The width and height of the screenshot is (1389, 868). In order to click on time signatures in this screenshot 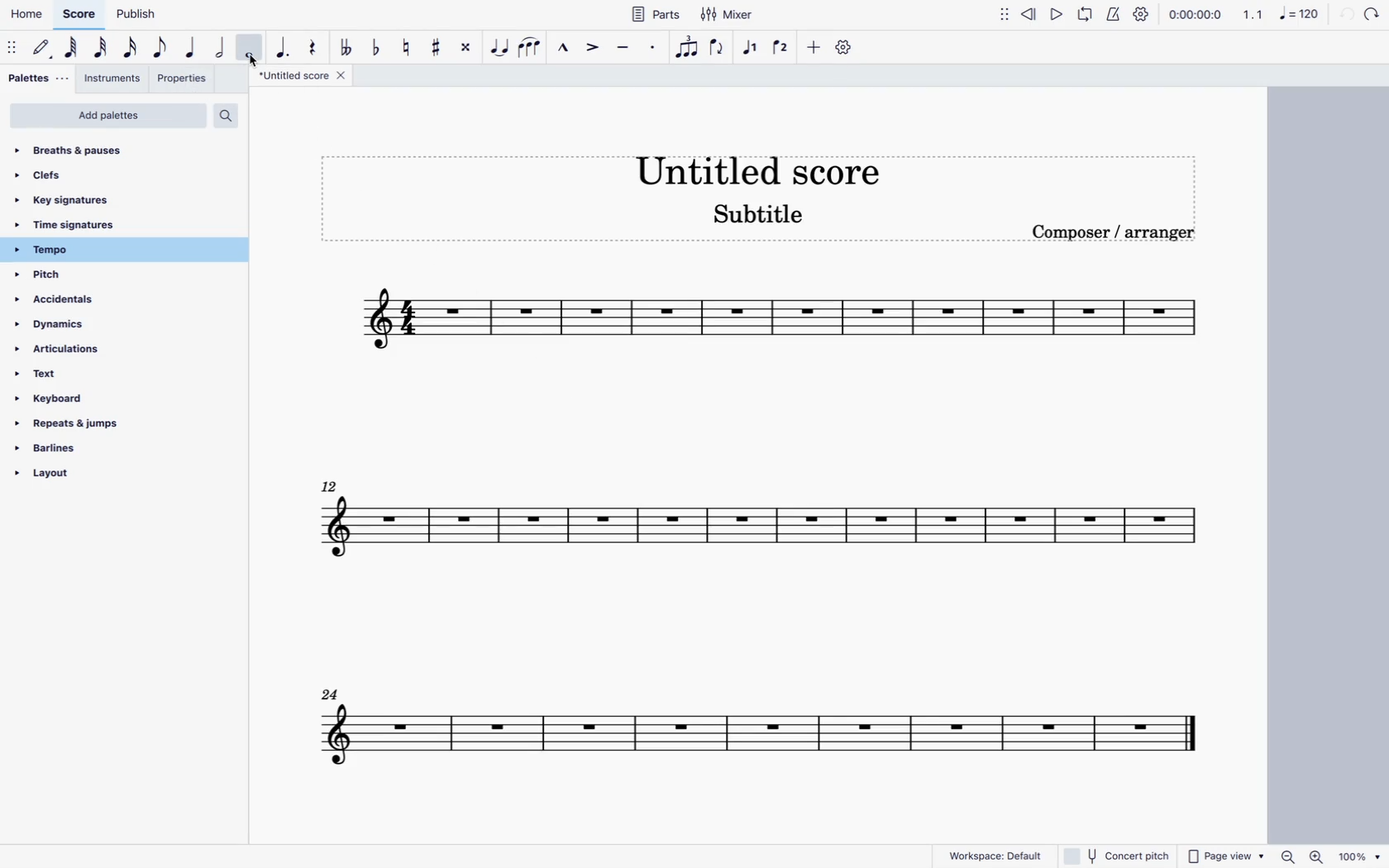, I will do `click(118, 225)`.